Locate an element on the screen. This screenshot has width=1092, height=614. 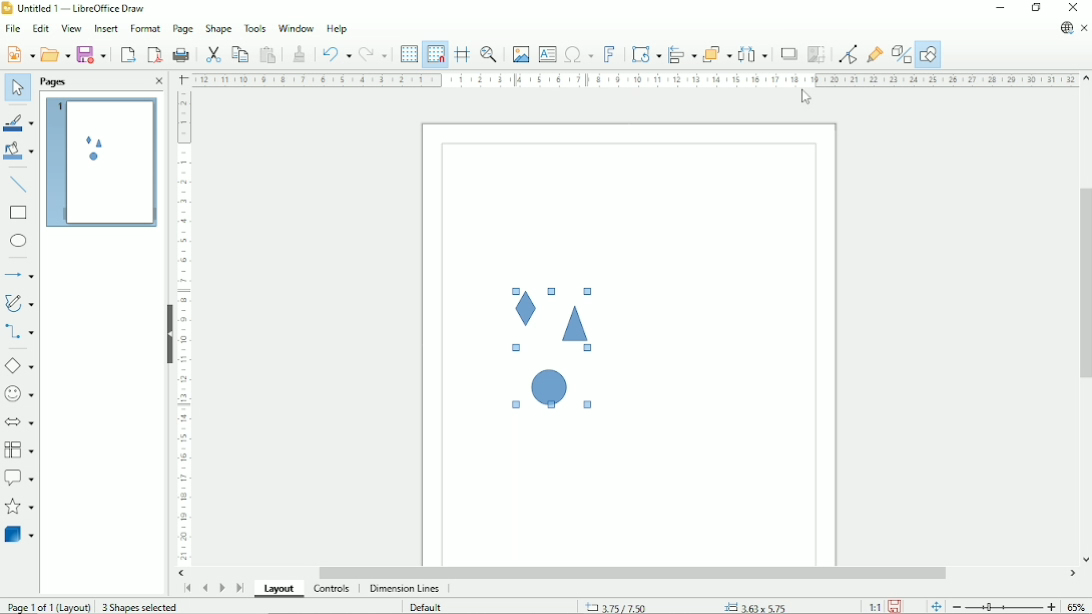
Open is located at coordinates (54, 53).